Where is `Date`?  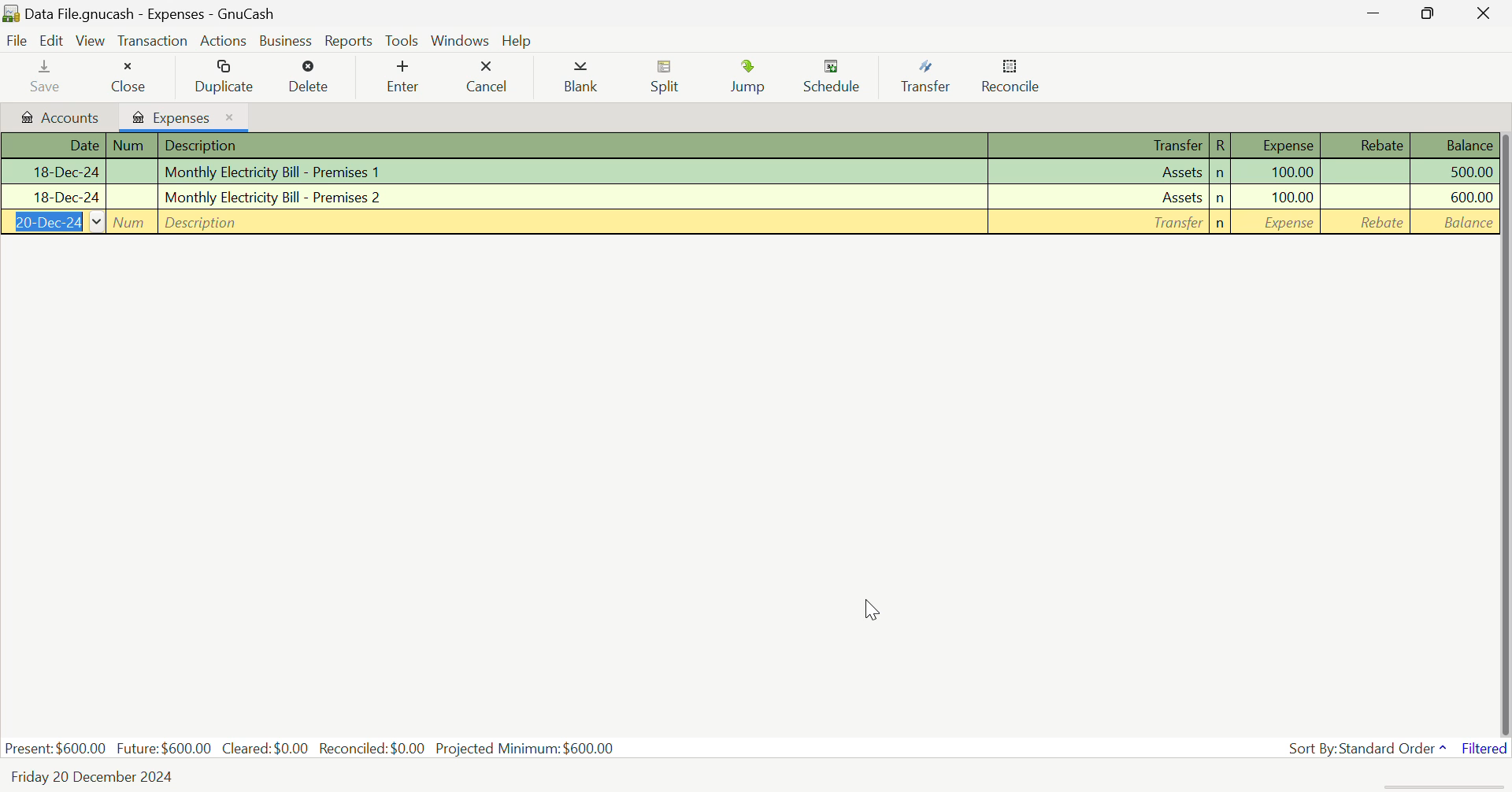 Date is located at coordinates (49, 198).